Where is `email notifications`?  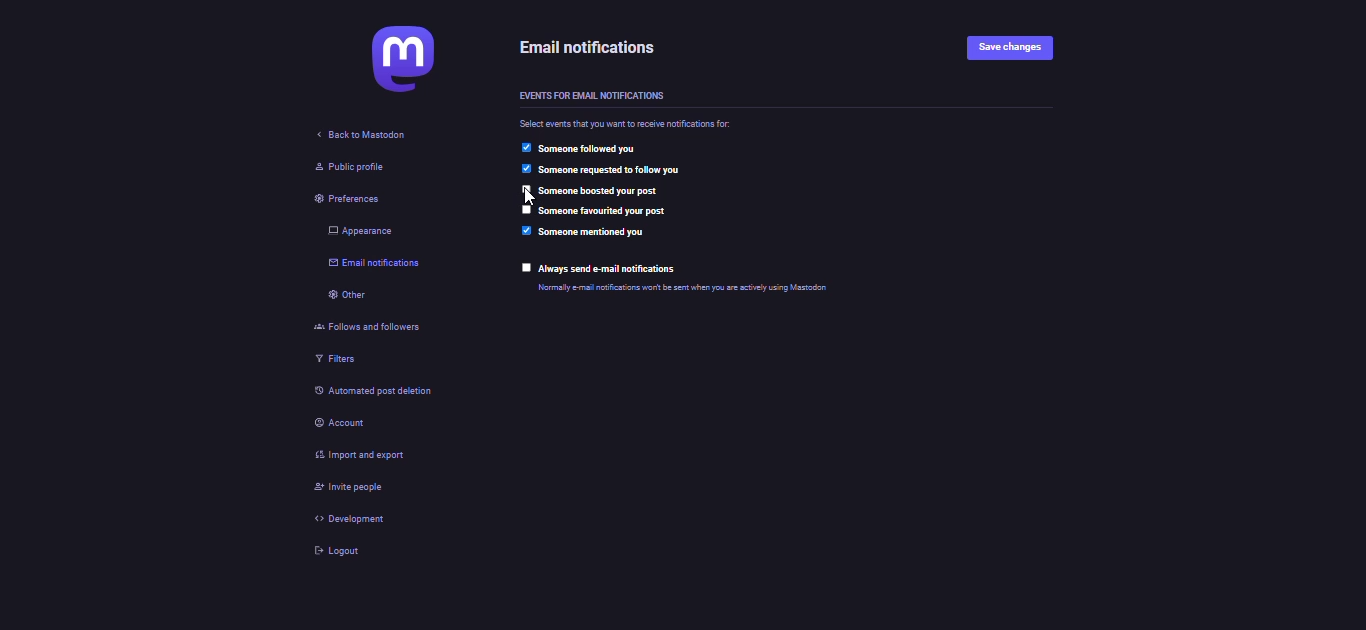 email notifications is located at coordinates (599, 48).